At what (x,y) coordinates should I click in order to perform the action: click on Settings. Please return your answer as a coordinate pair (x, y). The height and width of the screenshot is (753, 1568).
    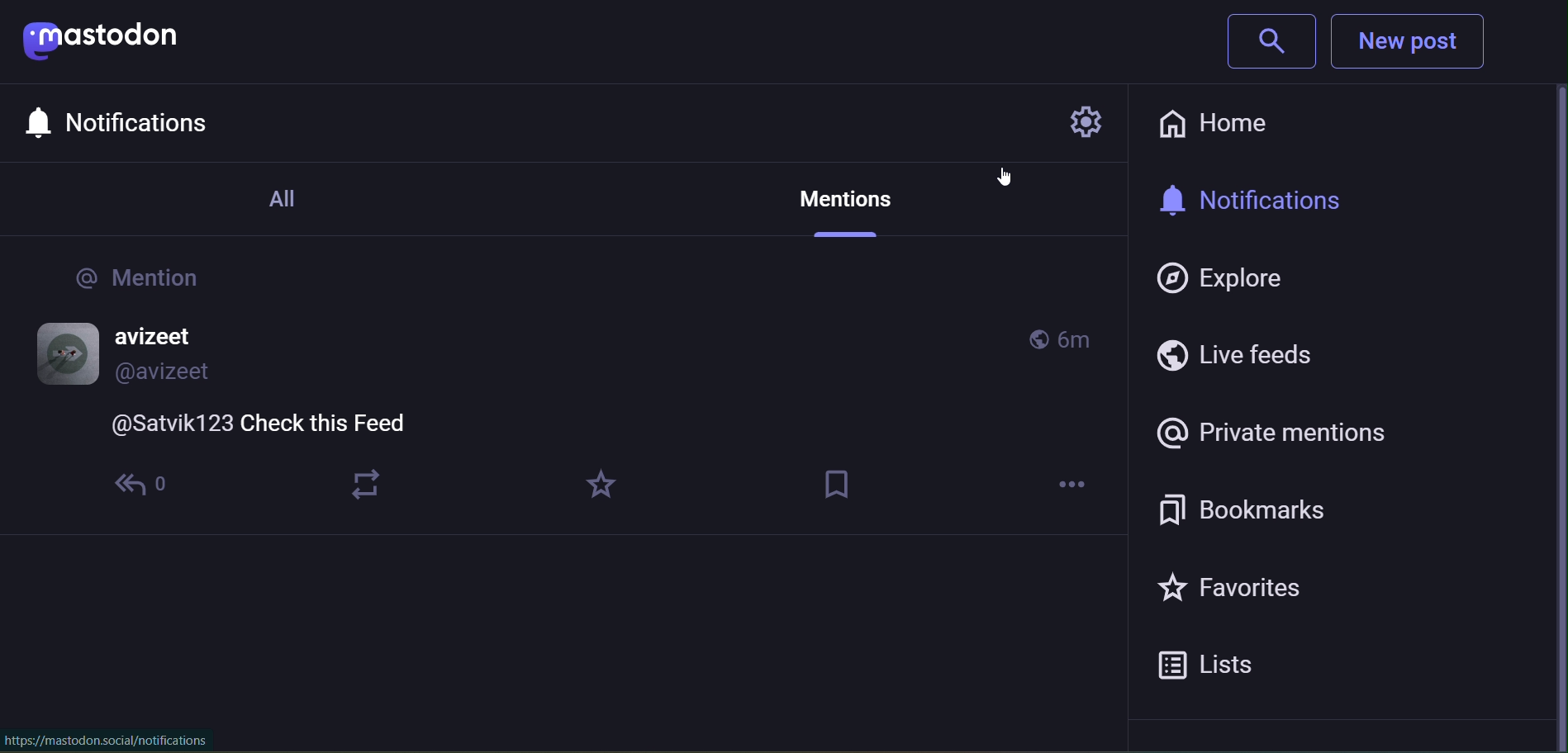
    Looking at the image, I should click on (1077, 123).